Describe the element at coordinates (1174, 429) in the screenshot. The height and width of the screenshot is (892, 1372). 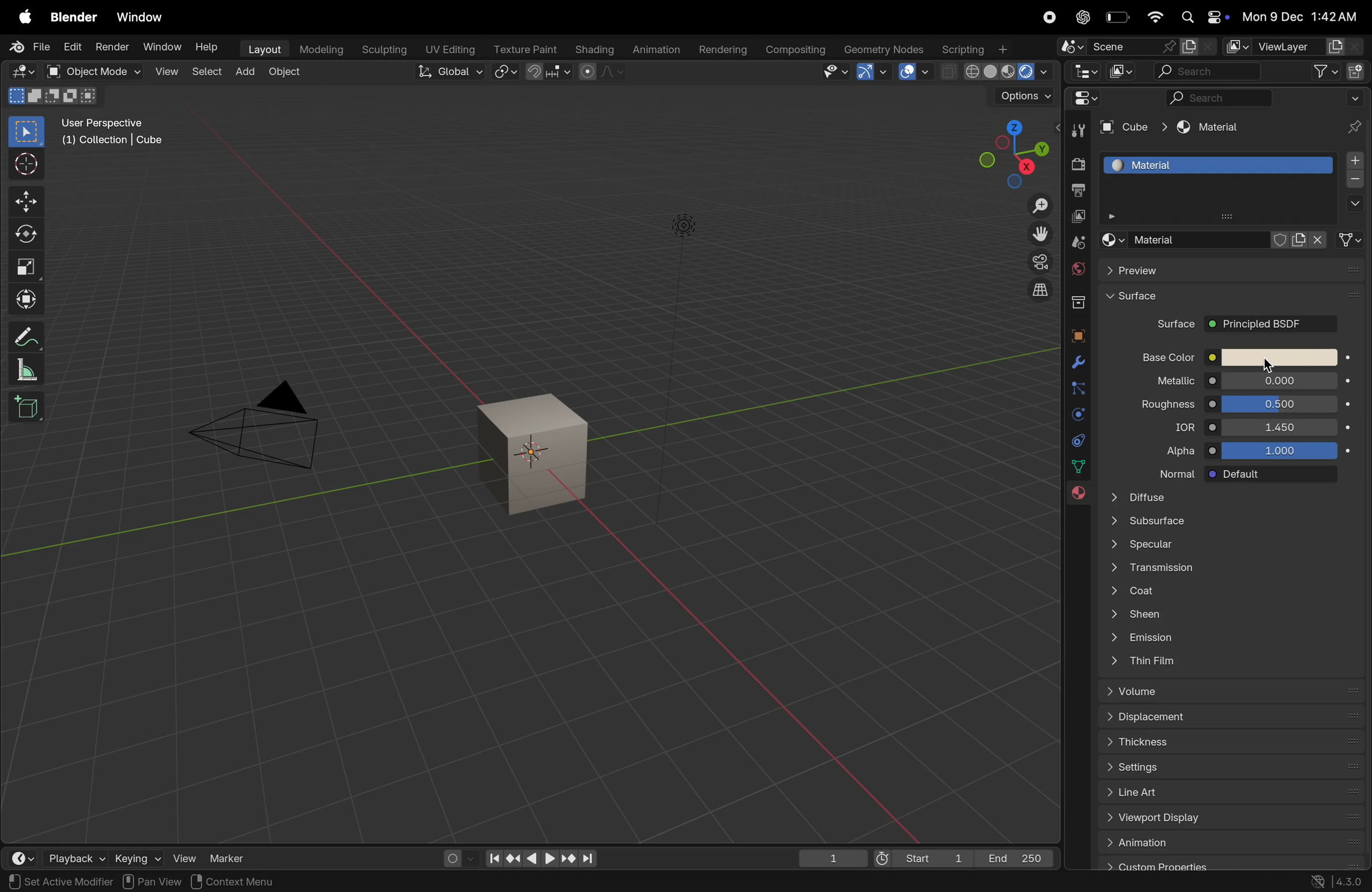
I see `idr` at that location.